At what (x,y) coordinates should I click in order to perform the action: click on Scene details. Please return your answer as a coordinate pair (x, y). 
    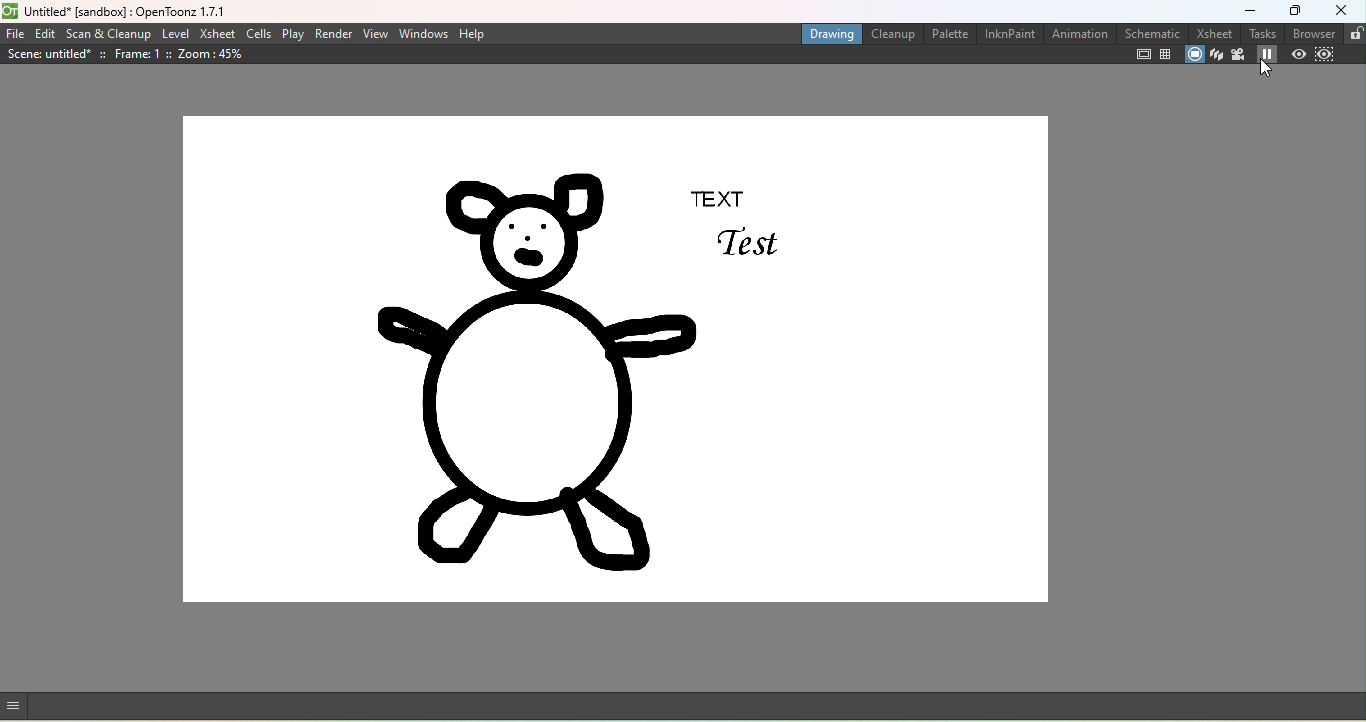
    Looking at the image, I should click on (135, 56).